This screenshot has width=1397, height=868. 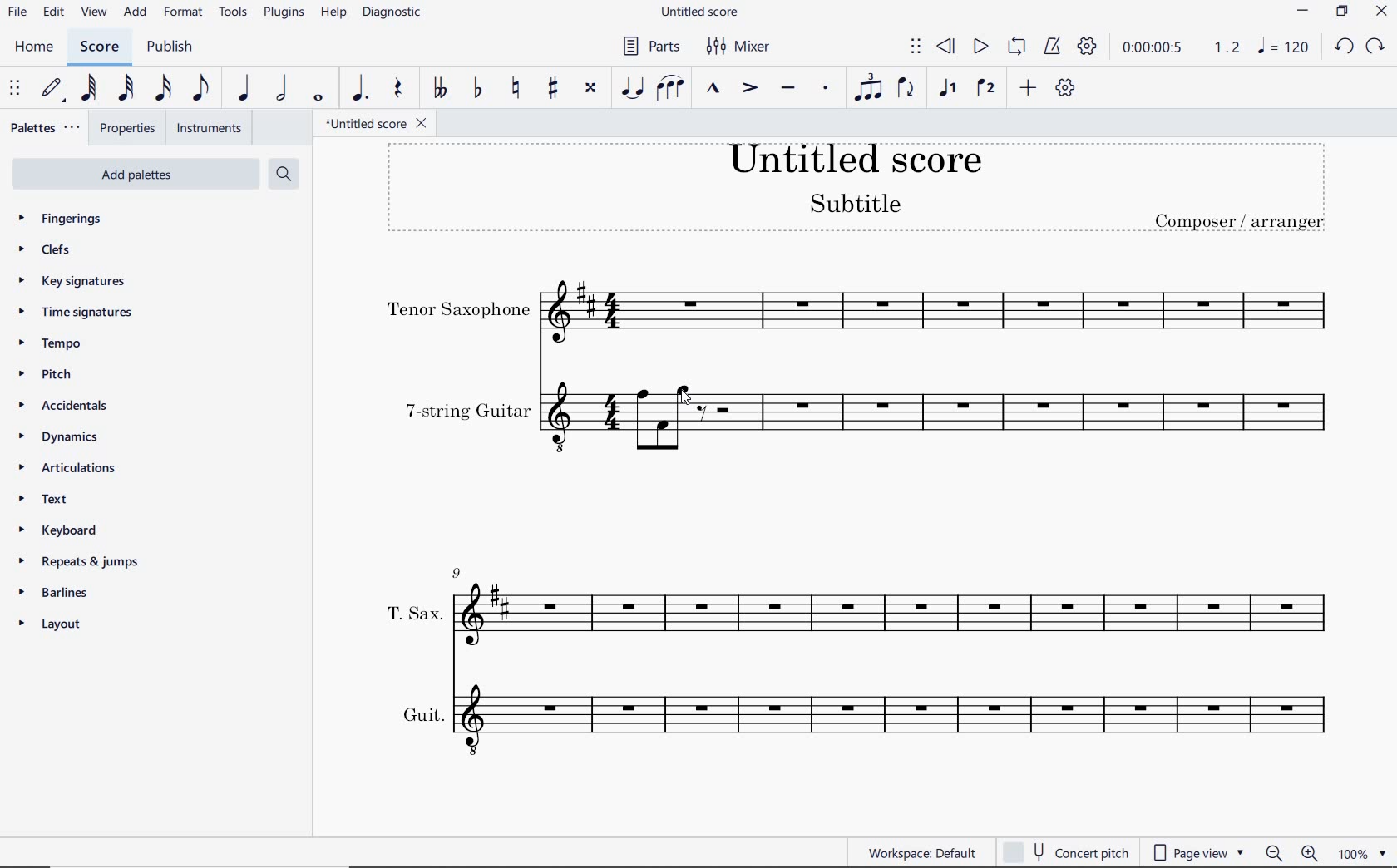 I want to click on METRONOME, so click(x=1054, y=47).